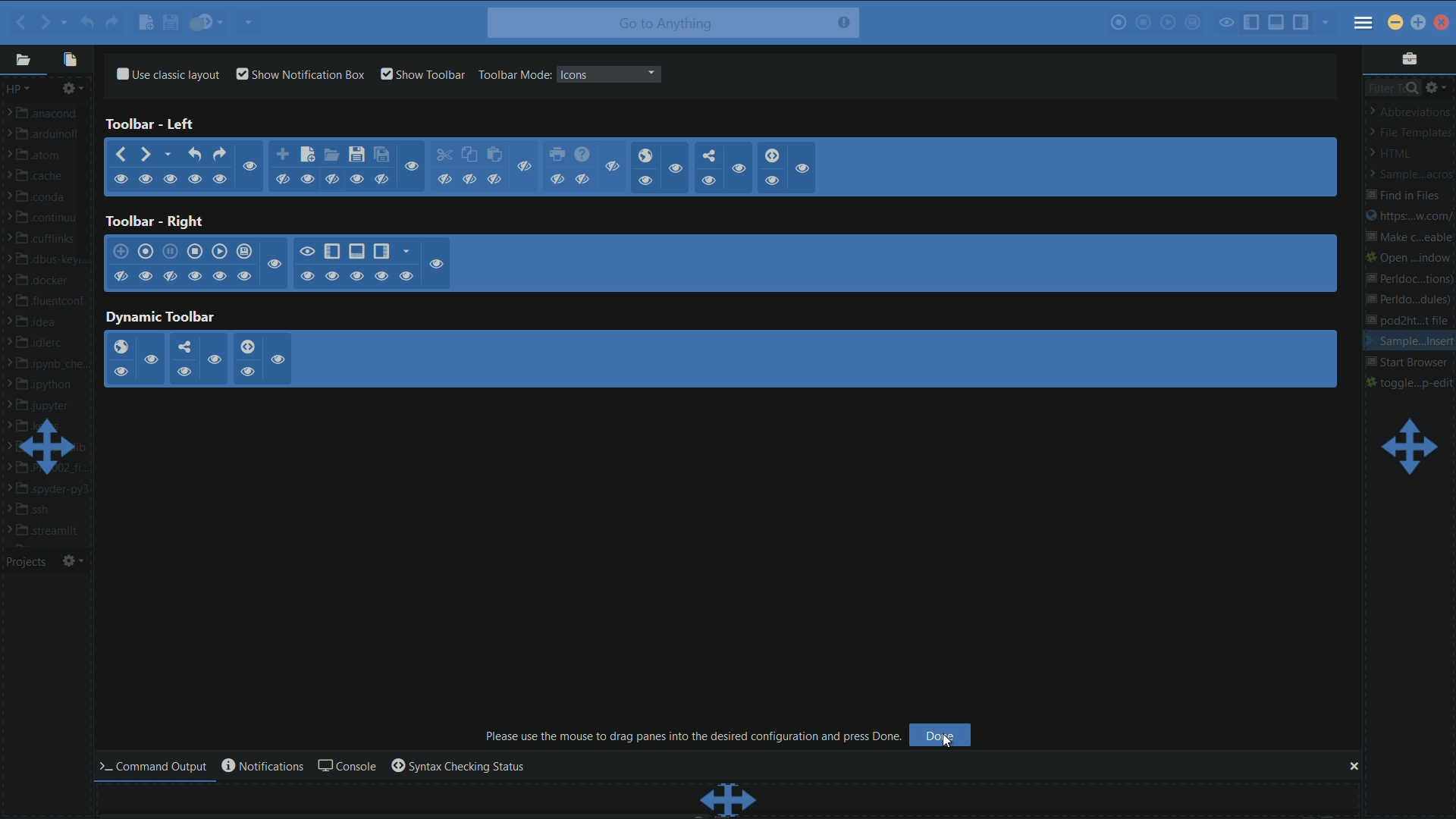 This screenshot has width=1456, height=819. What do you see at coordinates (1408, 218) in the screenshot?
I see `https:..w.com/` at bounding box center [1408, 218].